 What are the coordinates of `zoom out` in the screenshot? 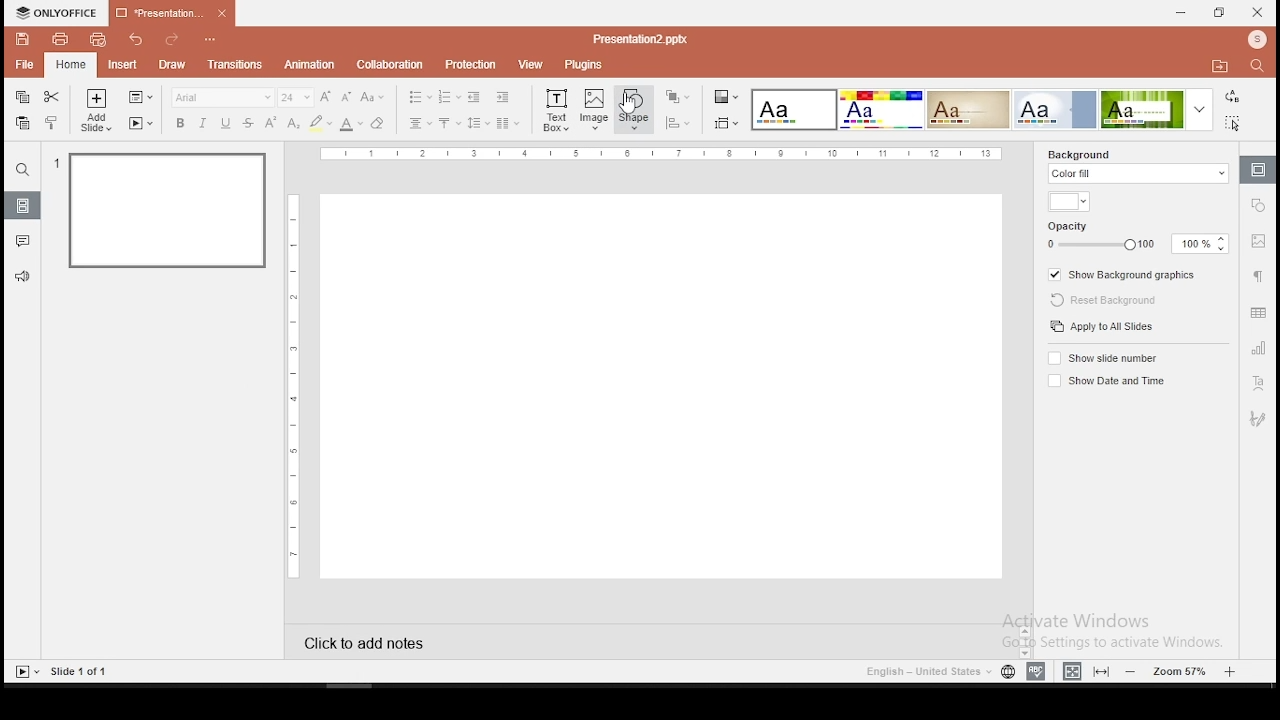 It's located at (1134, 671).